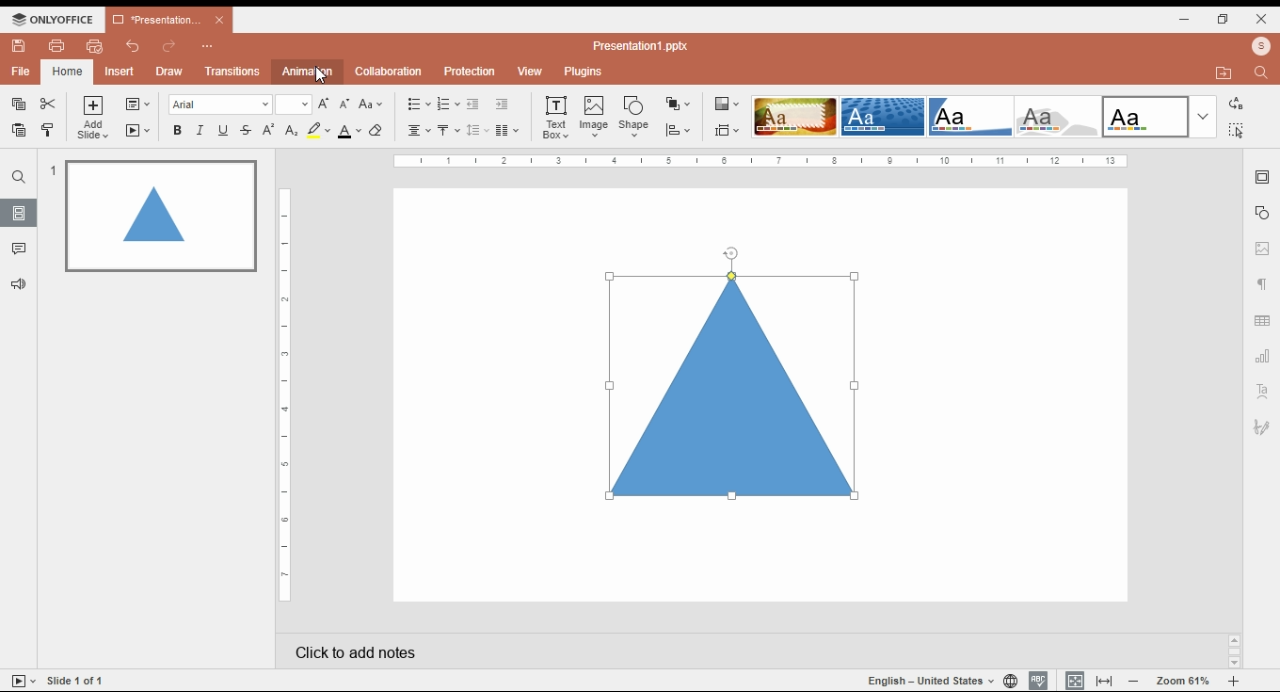  What do you see at coordinates (220, 105) in the screenshot?
I see `font` at bounding box center [220, 105].